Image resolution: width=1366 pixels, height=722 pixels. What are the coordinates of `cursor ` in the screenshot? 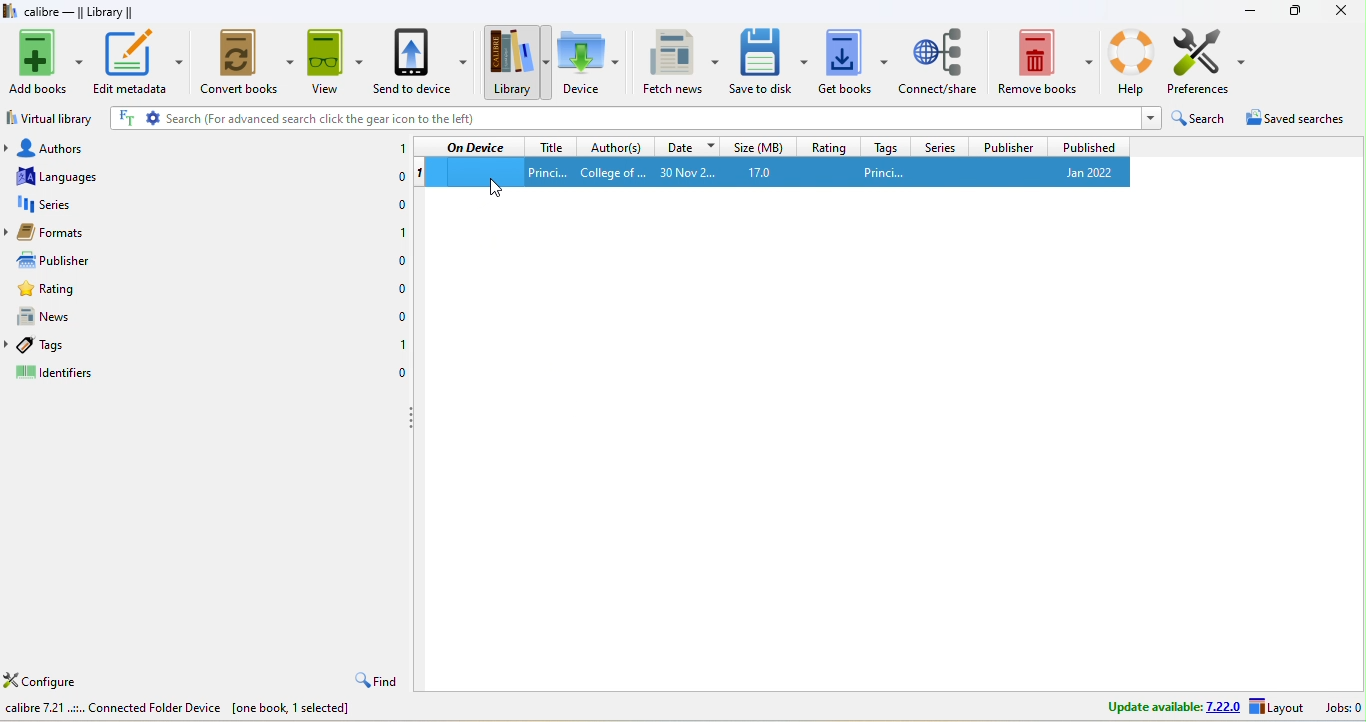 It's located at (502, 189).